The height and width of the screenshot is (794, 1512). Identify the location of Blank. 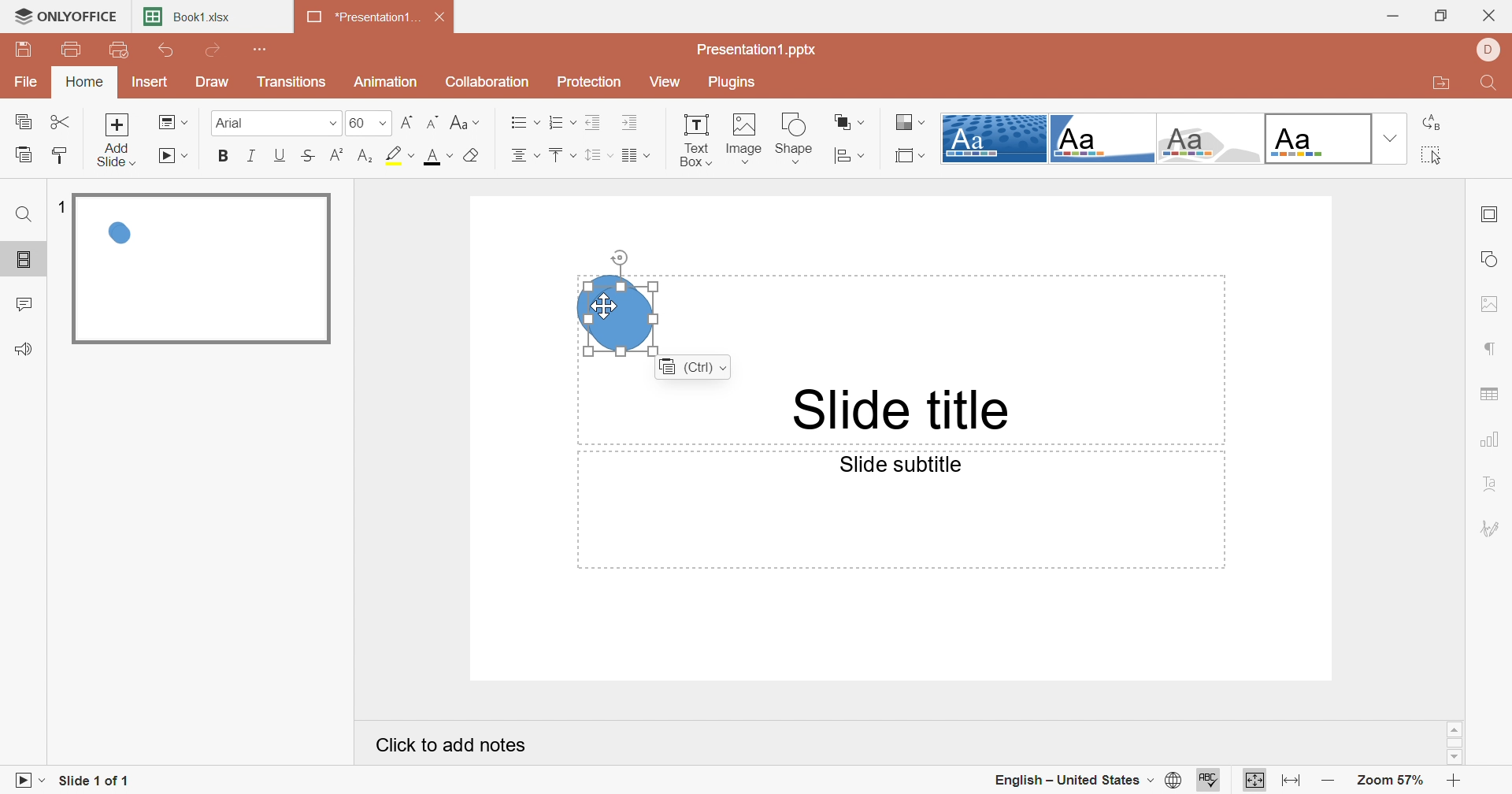
(1317, 139).